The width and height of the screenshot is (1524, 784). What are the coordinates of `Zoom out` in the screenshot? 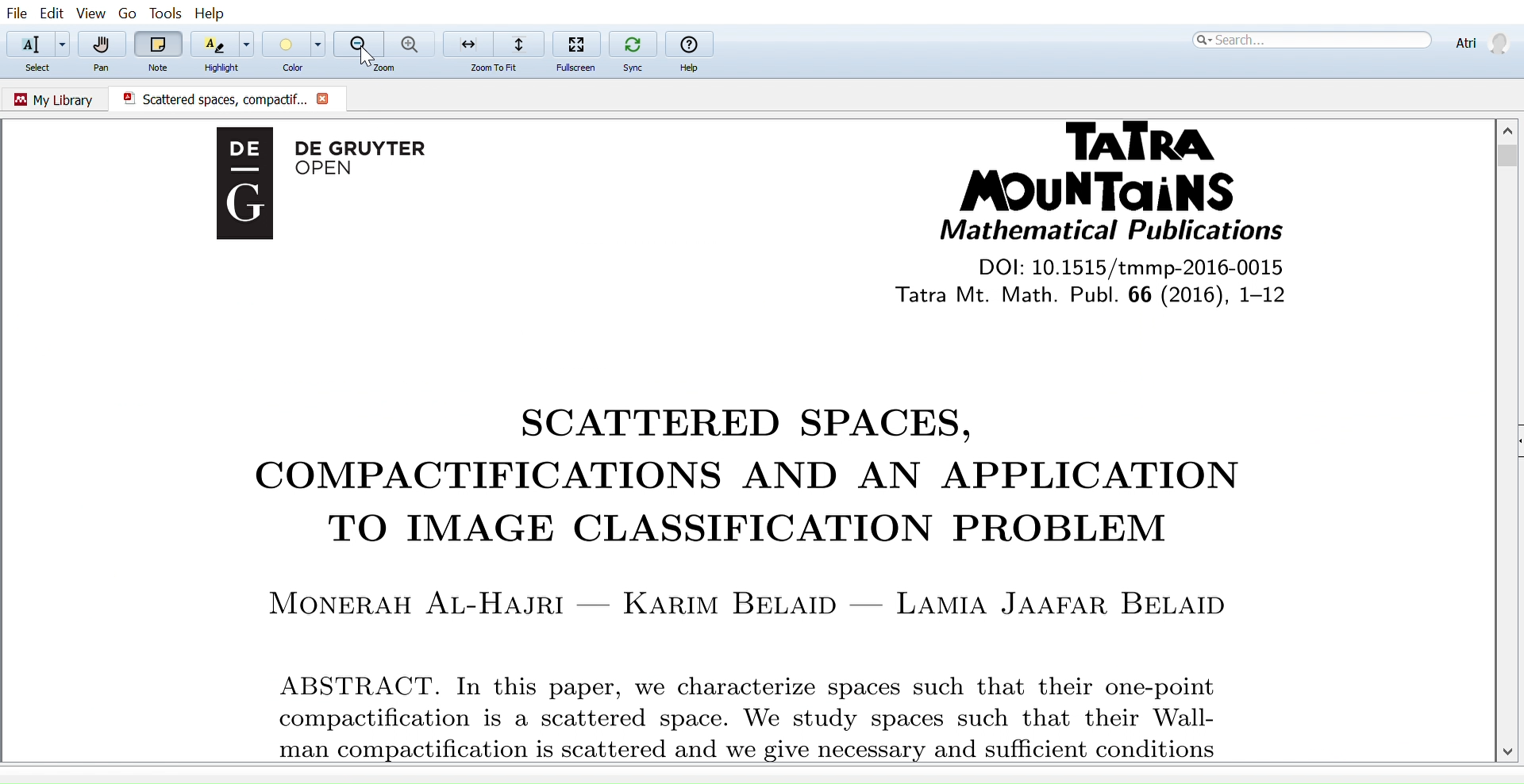 It's located at (359, 42).